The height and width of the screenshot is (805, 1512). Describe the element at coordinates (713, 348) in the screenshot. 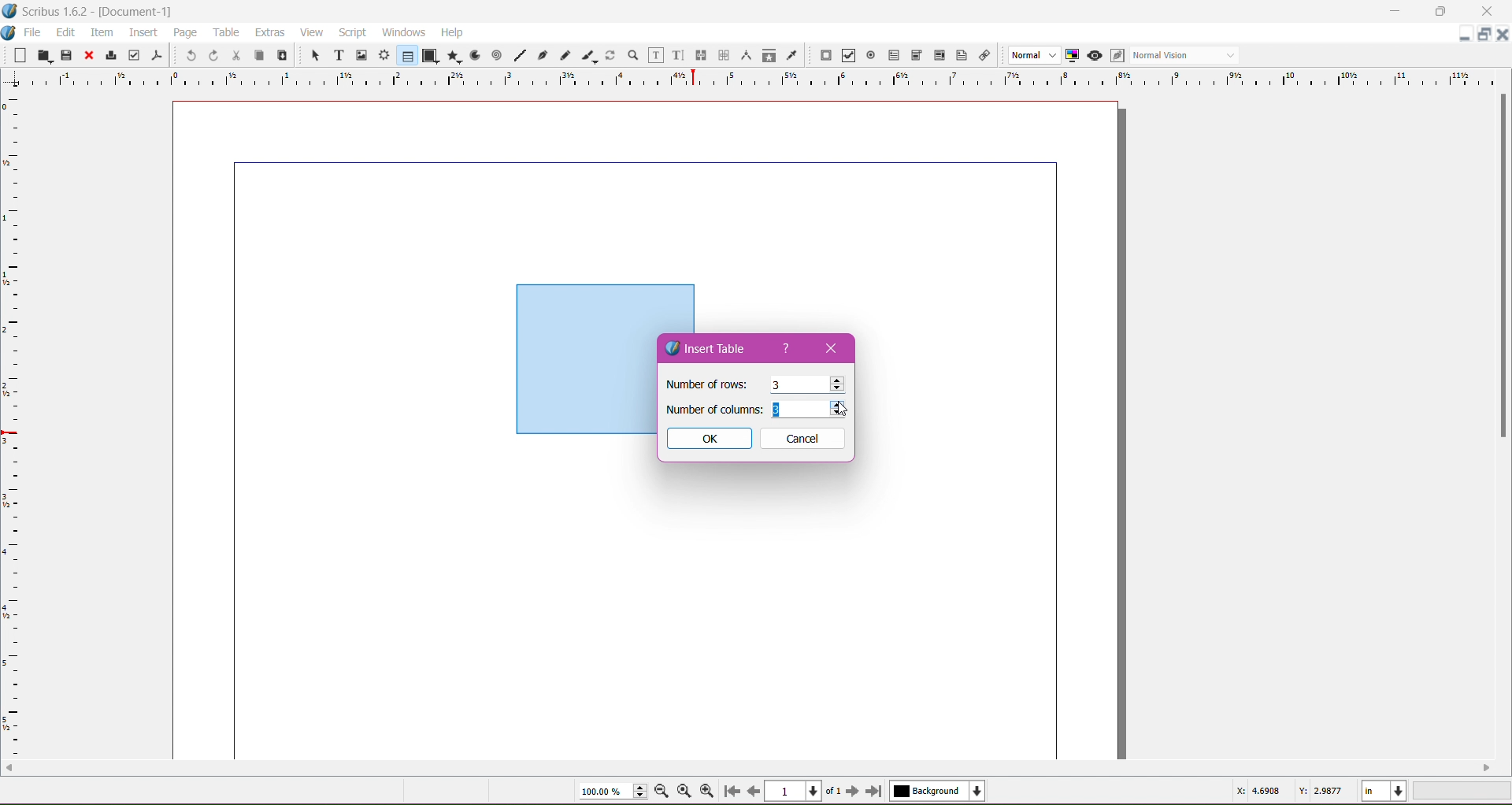

I see `Insert Table` at that location.